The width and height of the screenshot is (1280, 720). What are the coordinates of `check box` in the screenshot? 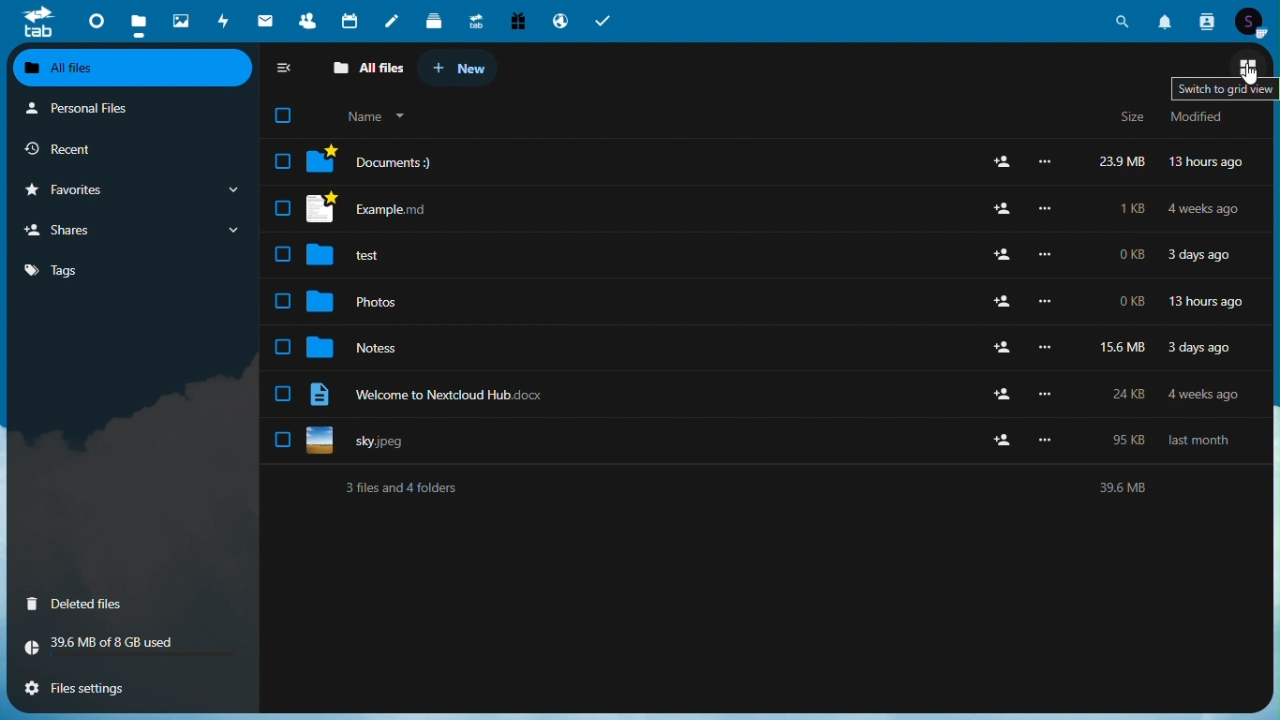 It's located at (283, 161).